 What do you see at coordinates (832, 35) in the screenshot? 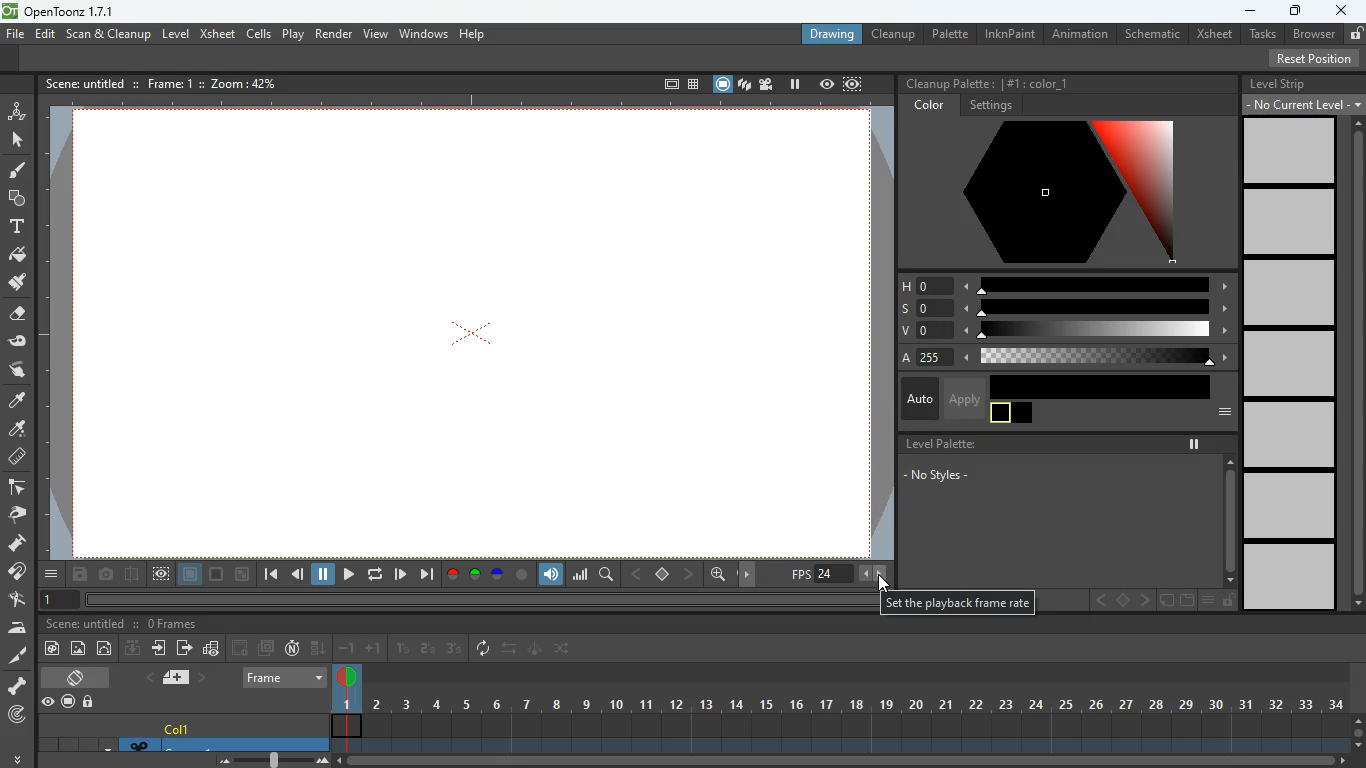
I see `drawing` at bounding box center [832, 35].